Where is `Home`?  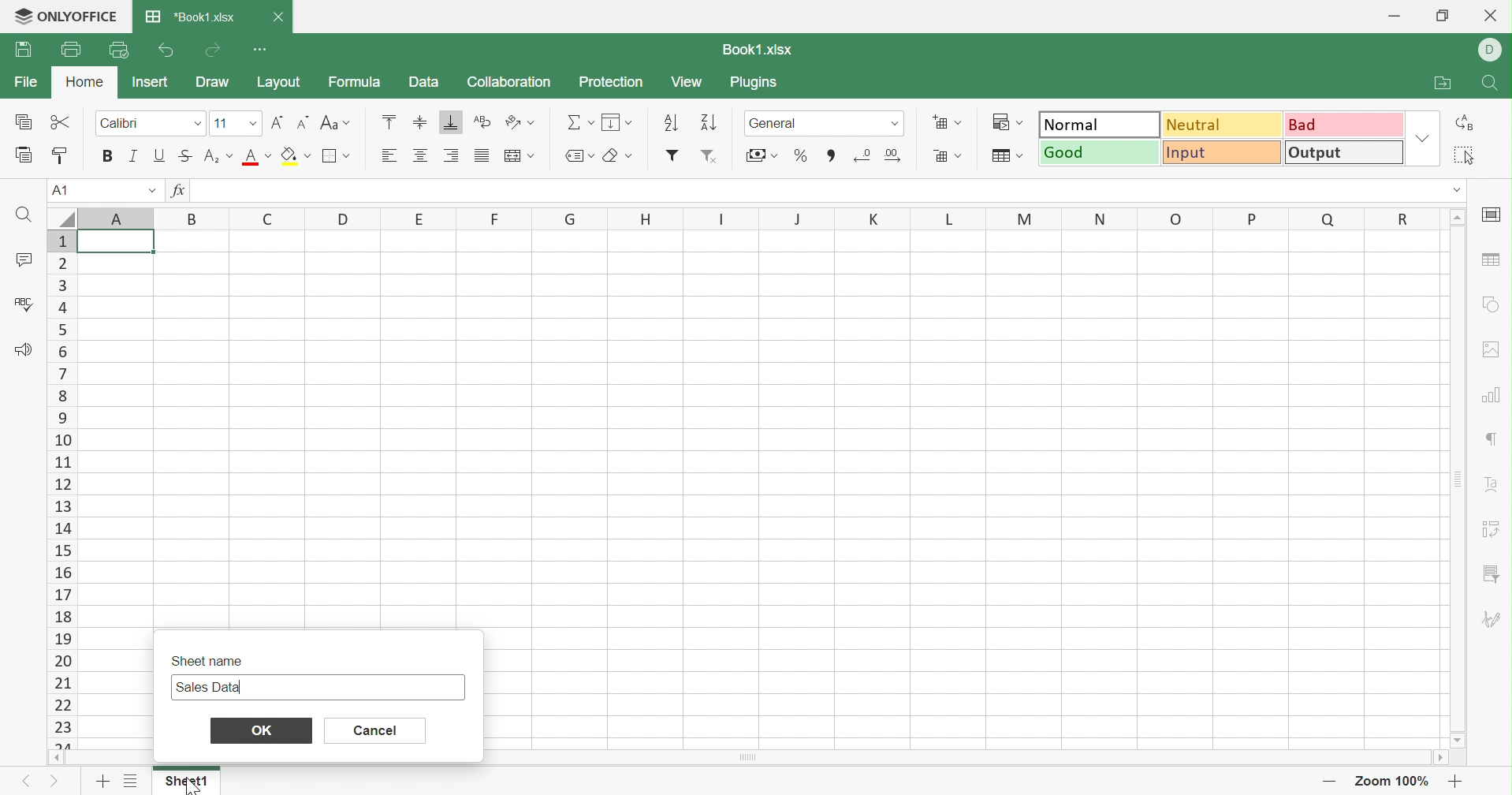 Home is located at coordinates (84, 83).